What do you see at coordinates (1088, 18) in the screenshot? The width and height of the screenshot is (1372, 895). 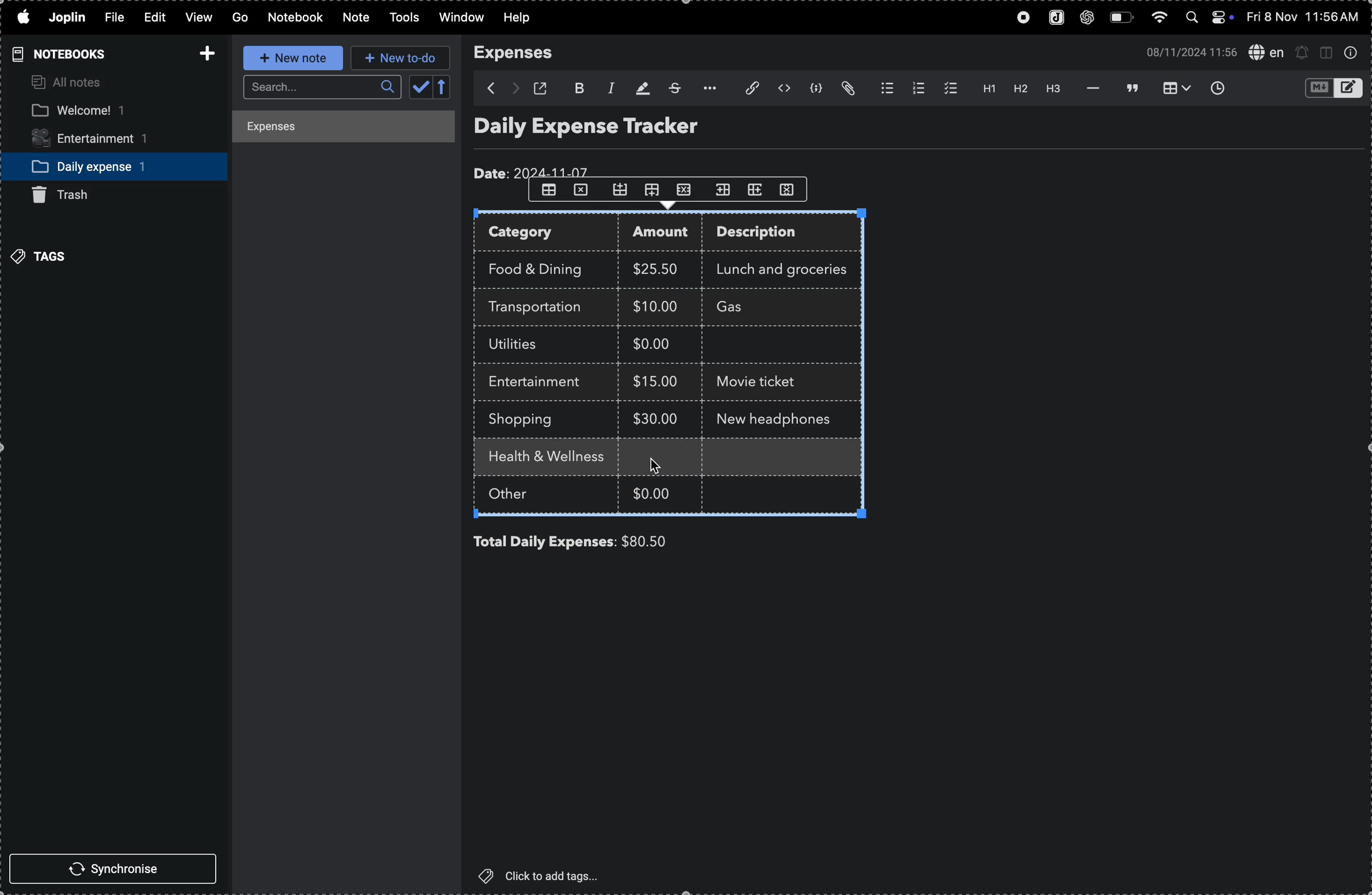 I see `chatgpt` at bounding box center [1088, 18].